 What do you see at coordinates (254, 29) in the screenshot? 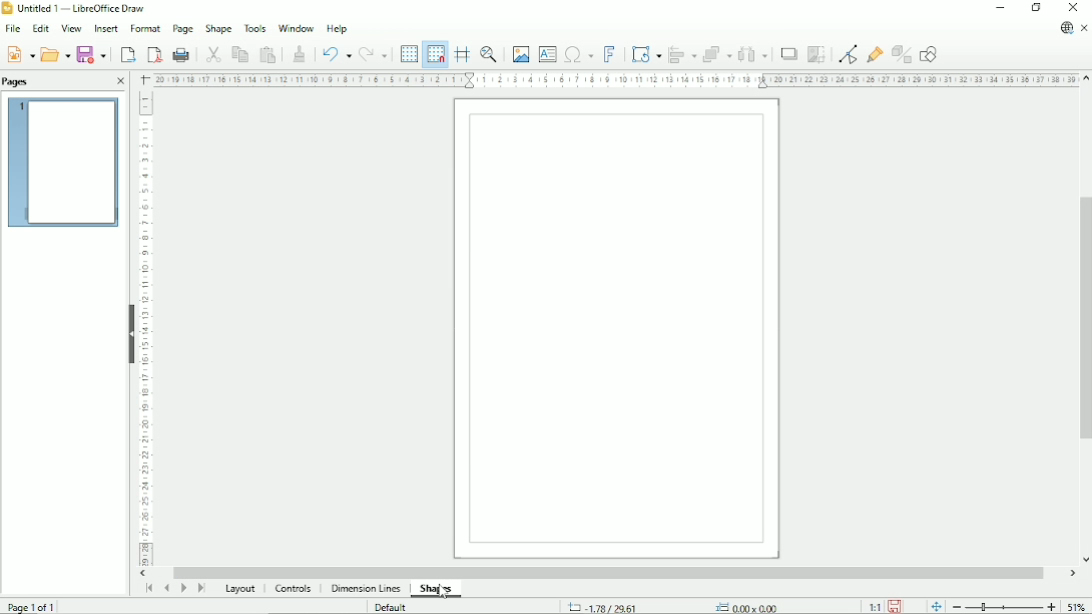
I see `Tools` at bounding box center [254, 29].